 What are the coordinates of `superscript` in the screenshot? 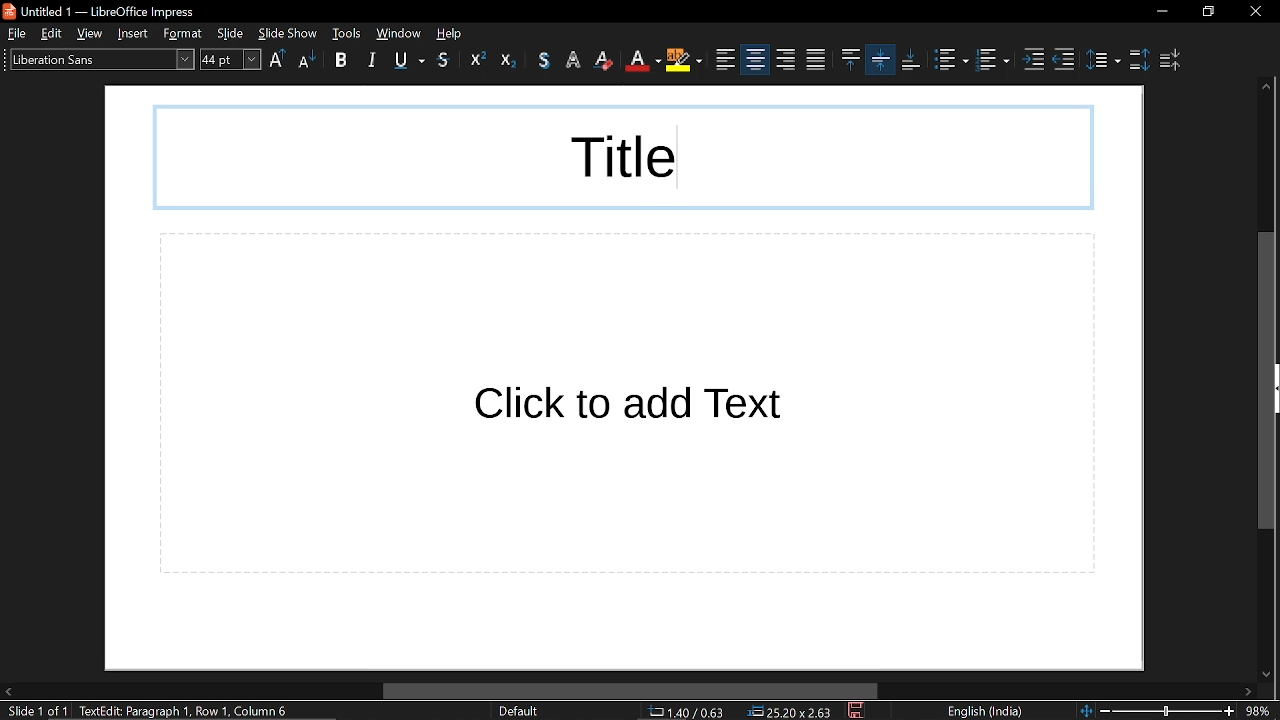 It's located at (473, 61).